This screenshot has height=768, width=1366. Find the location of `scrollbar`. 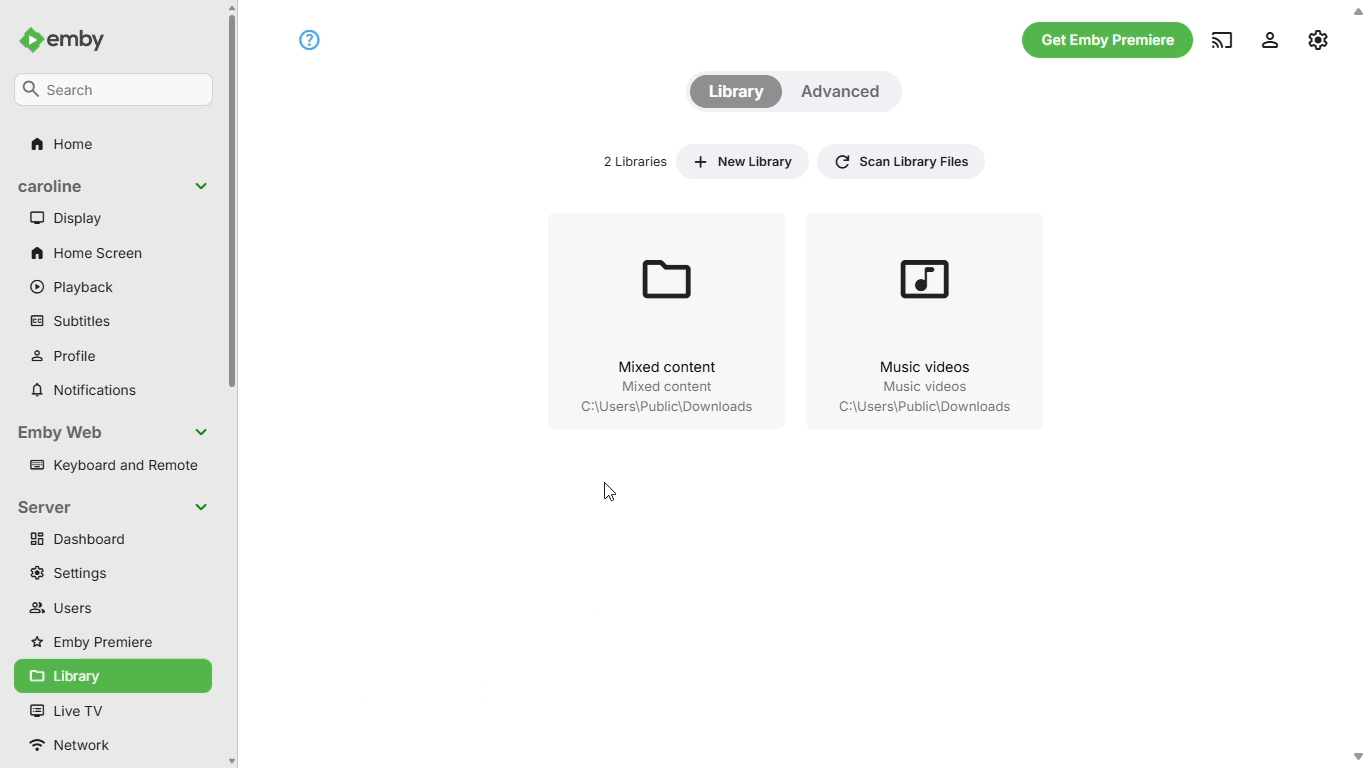

scrollbar is located at coordinates (1358, 385).